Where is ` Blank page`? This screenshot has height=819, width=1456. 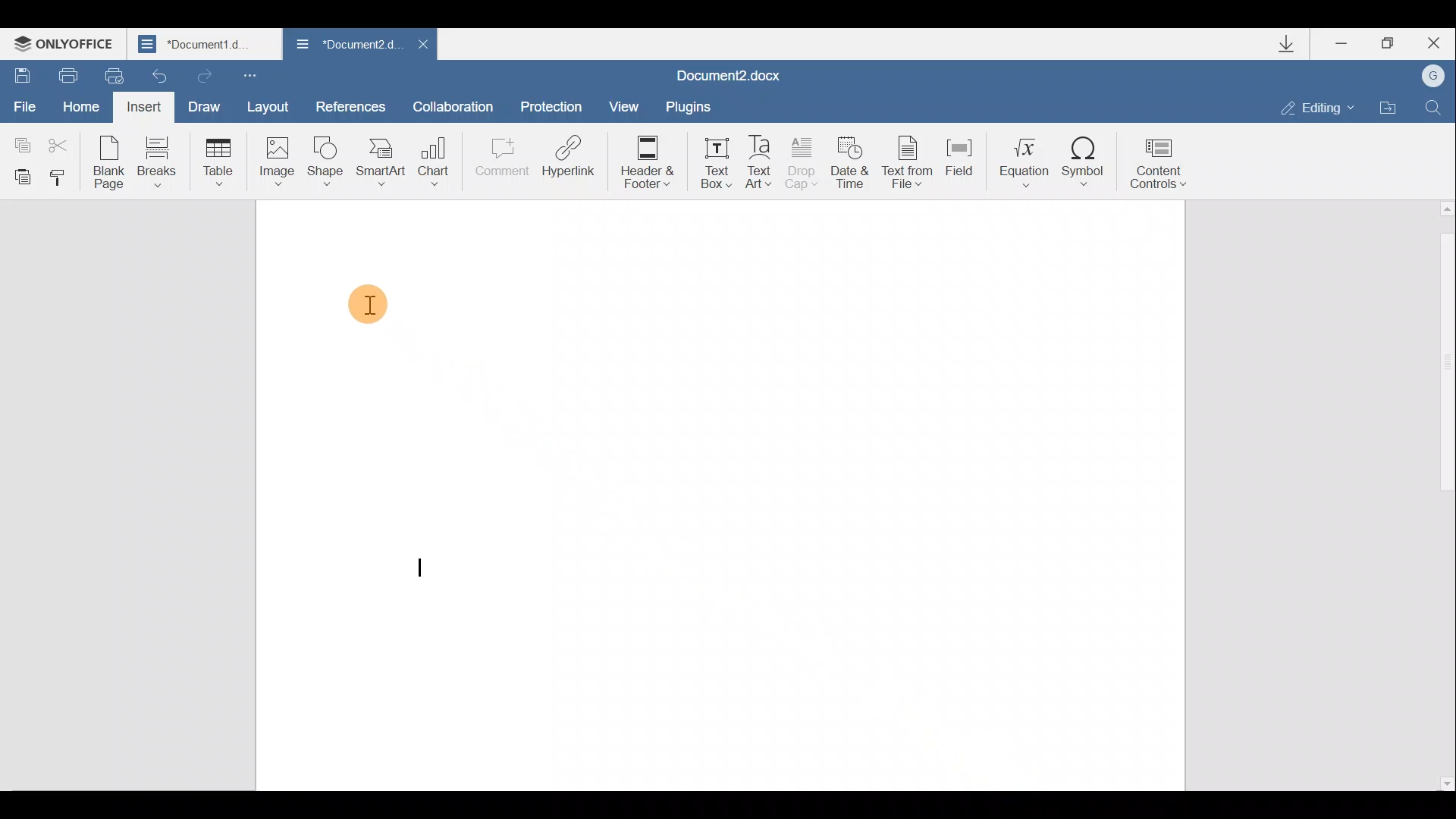
 Blank page is located at coordinates (109, 162).